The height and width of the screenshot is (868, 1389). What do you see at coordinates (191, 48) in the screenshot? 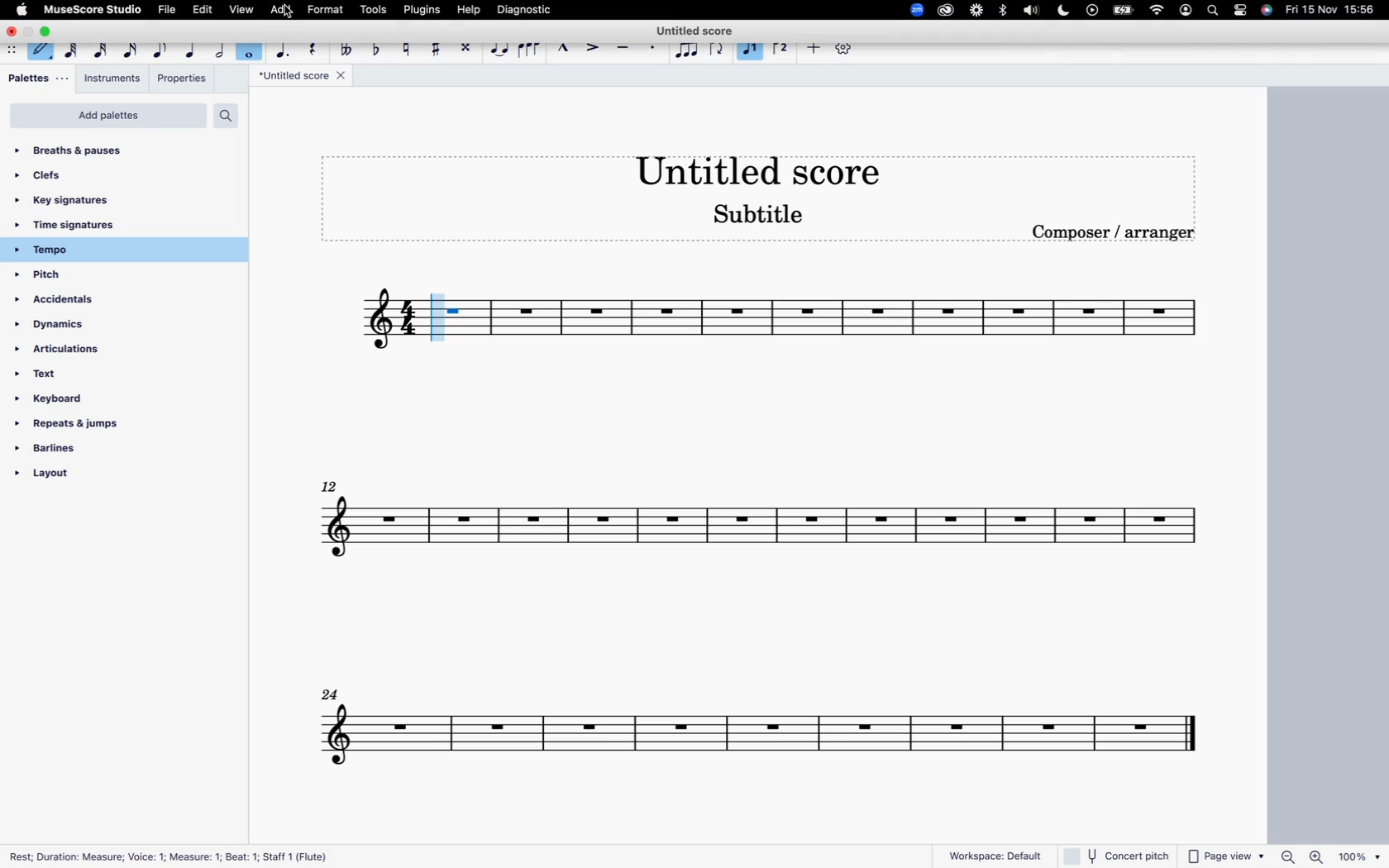
I see `quarter note` at bounding box center [191, 48].